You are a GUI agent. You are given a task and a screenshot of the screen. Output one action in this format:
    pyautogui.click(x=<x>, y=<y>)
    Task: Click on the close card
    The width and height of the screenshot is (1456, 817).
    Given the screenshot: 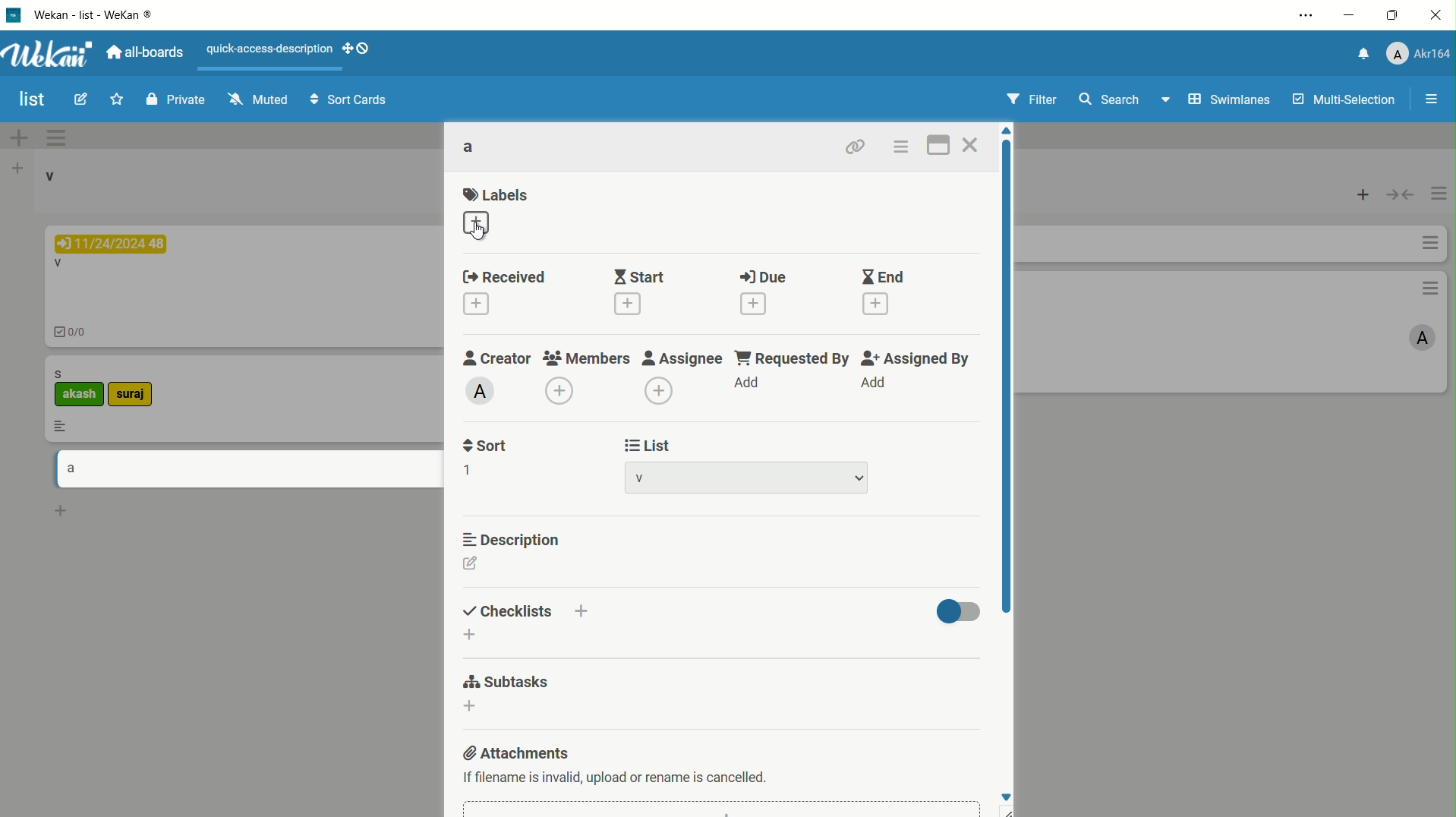 What is the action you would take?
    pyautogui.click(x=972, y=147)
    